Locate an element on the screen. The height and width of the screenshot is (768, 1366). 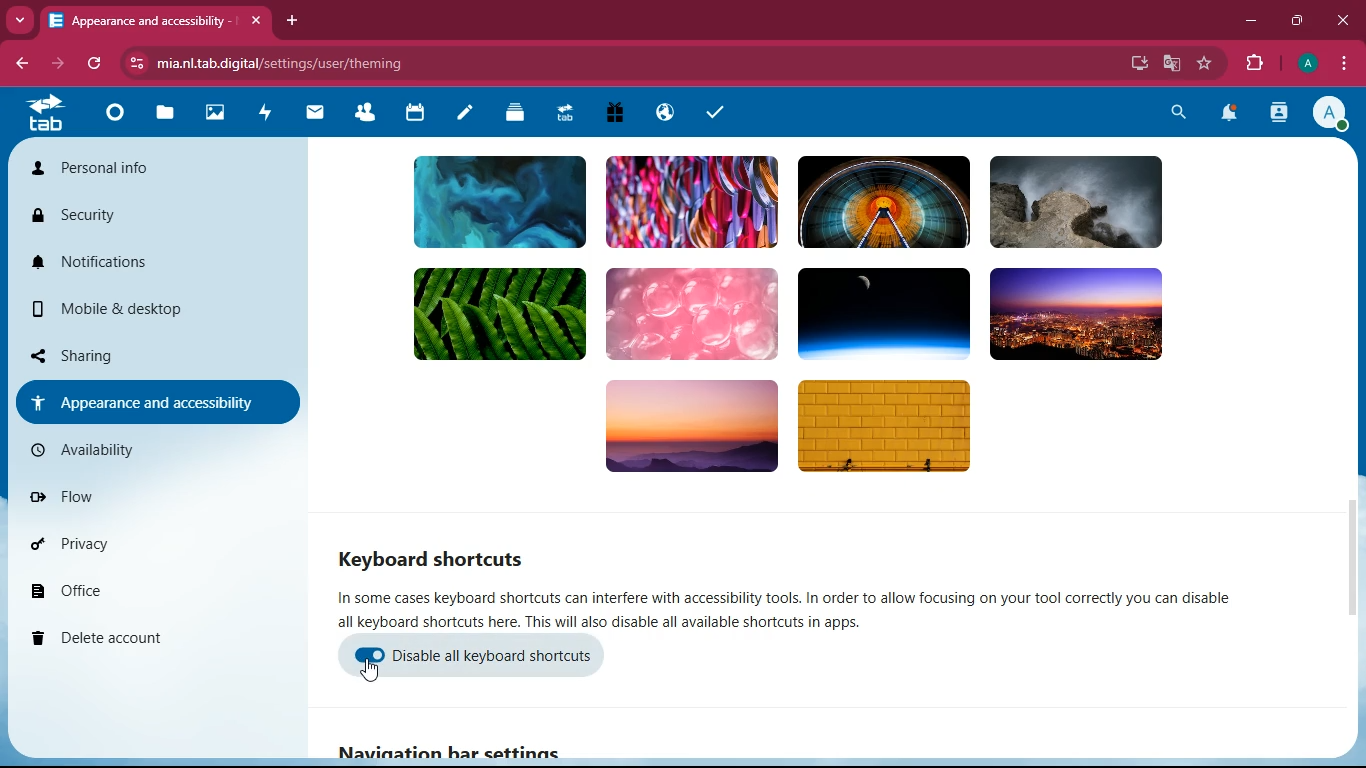
calendar is located at coordinates (416, 115).